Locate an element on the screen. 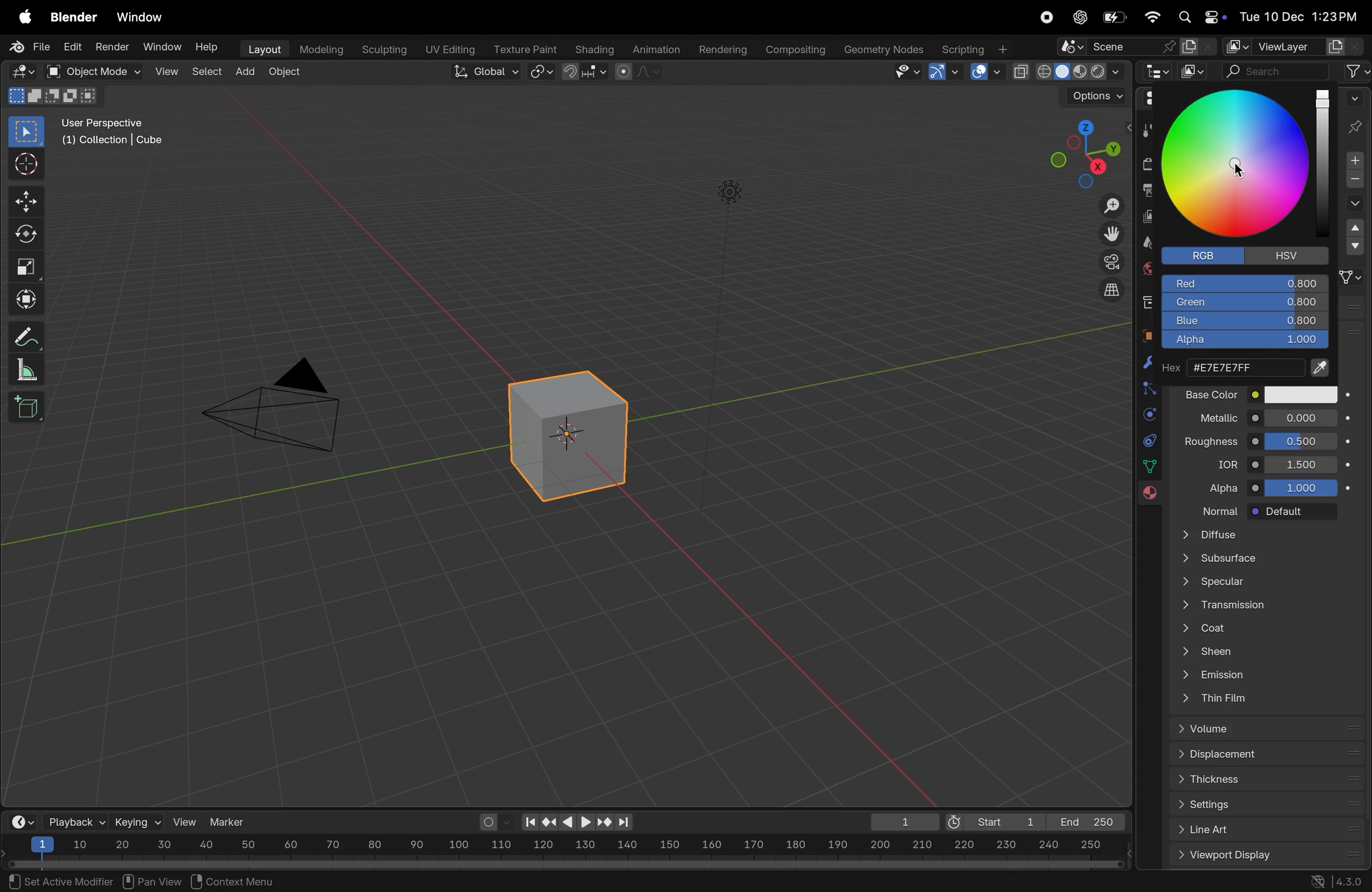 The image size is (1372, 892). thickness is located at coordinates (1269, 782).